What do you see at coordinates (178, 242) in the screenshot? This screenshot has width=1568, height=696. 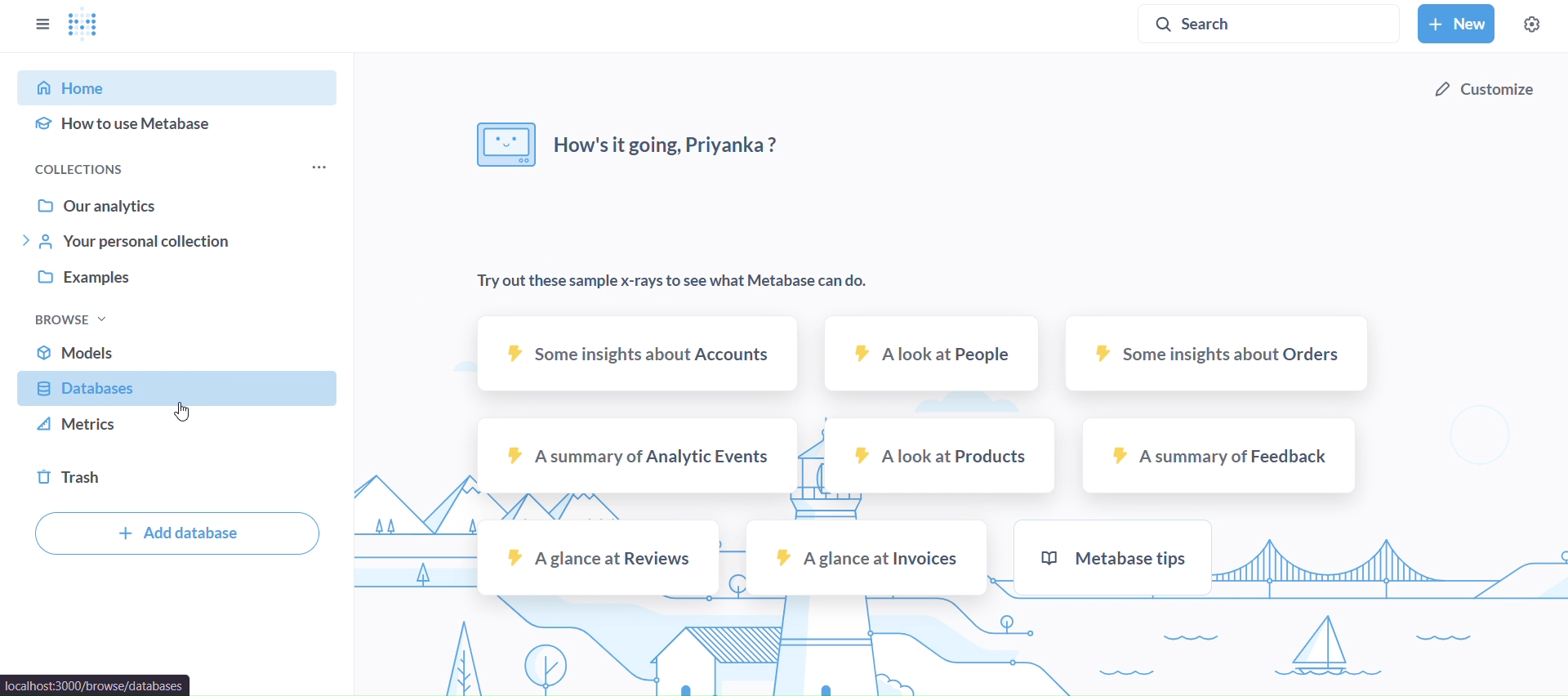 I see `your personal collection` at bounding box center [178, 242].